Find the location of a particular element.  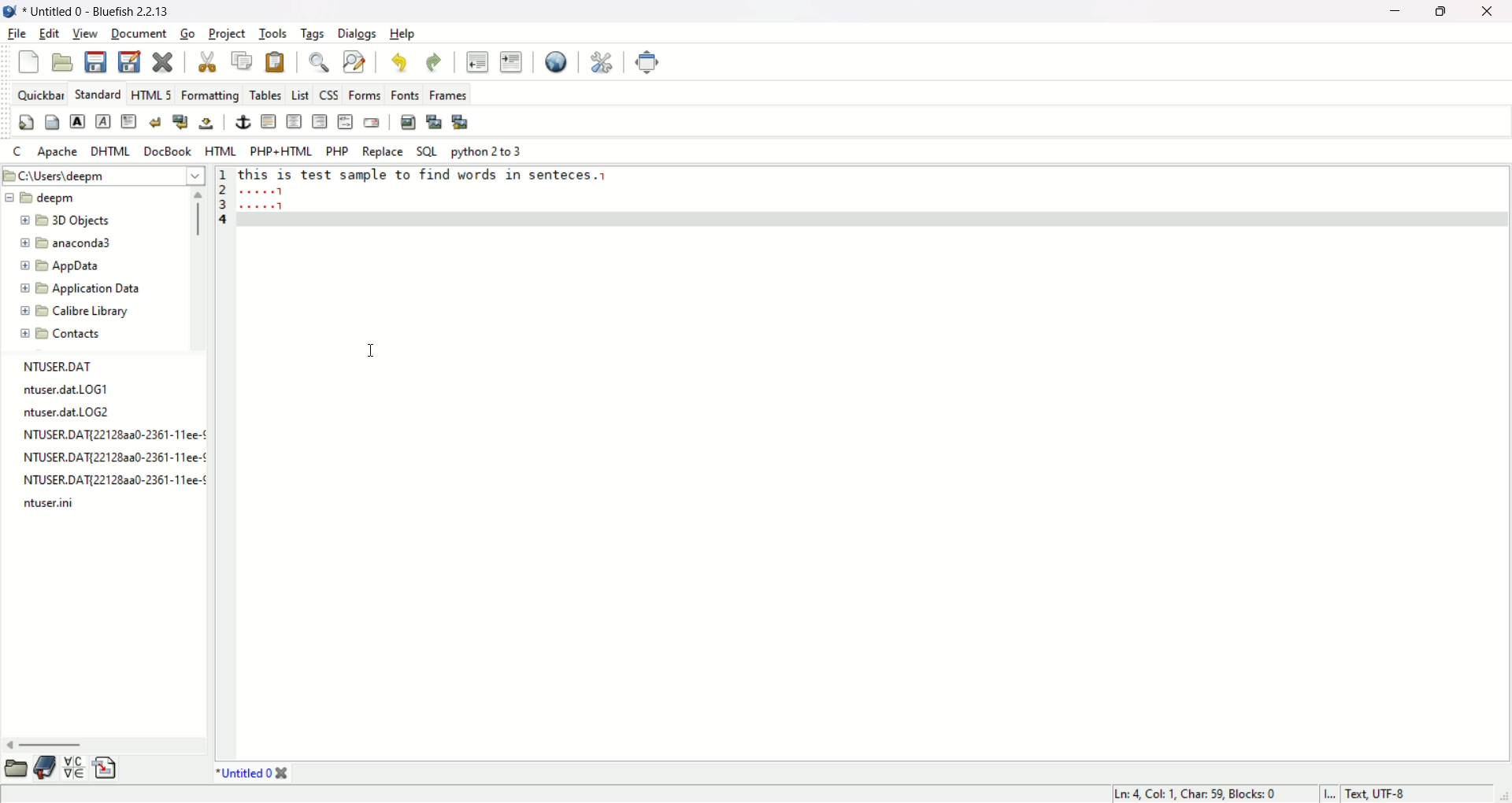

snippets is located at coordinates (106, 769).